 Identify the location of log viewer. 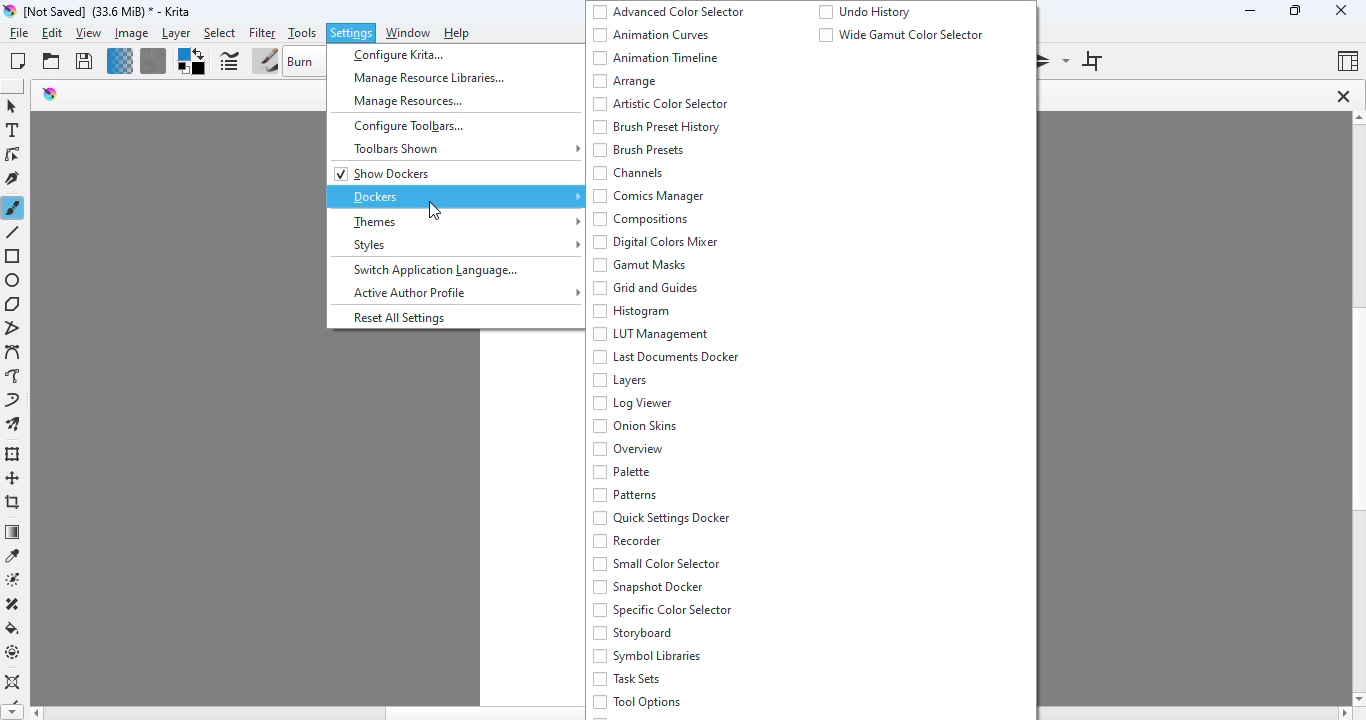
(632, 403).